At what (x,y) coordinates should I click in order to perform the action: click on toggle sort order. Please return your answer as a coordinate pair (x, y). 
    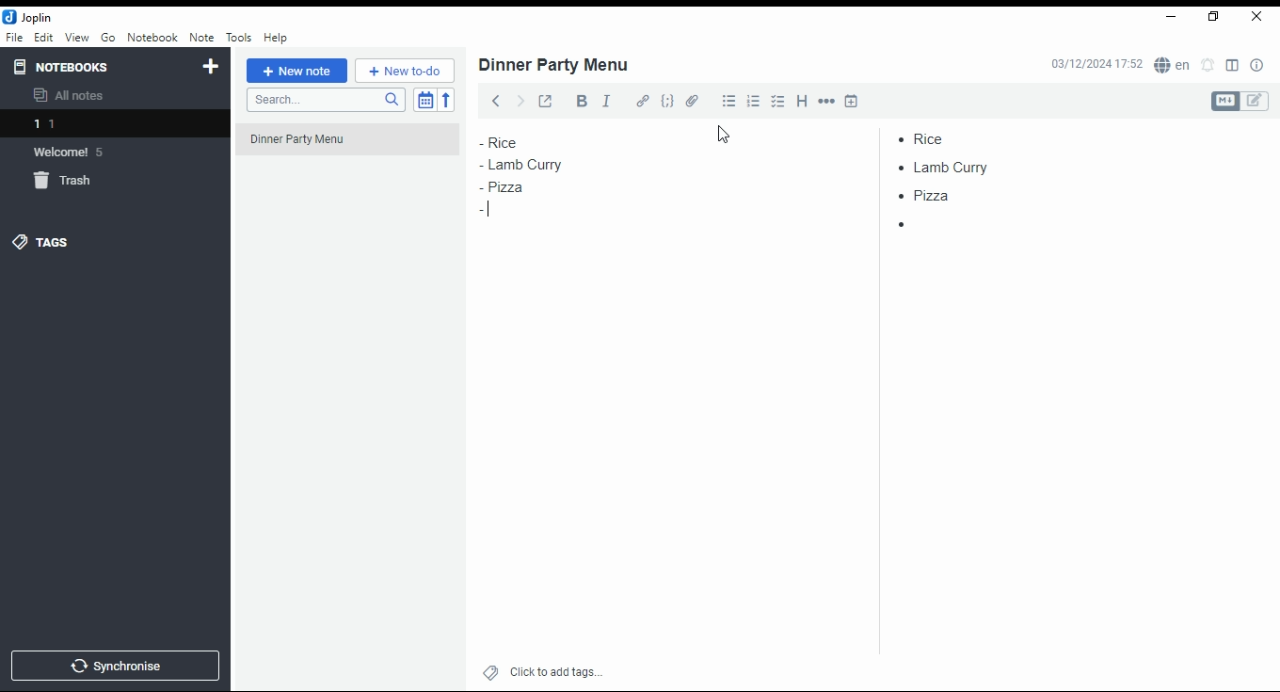
    Looking at the image, I should click on (424, 99).